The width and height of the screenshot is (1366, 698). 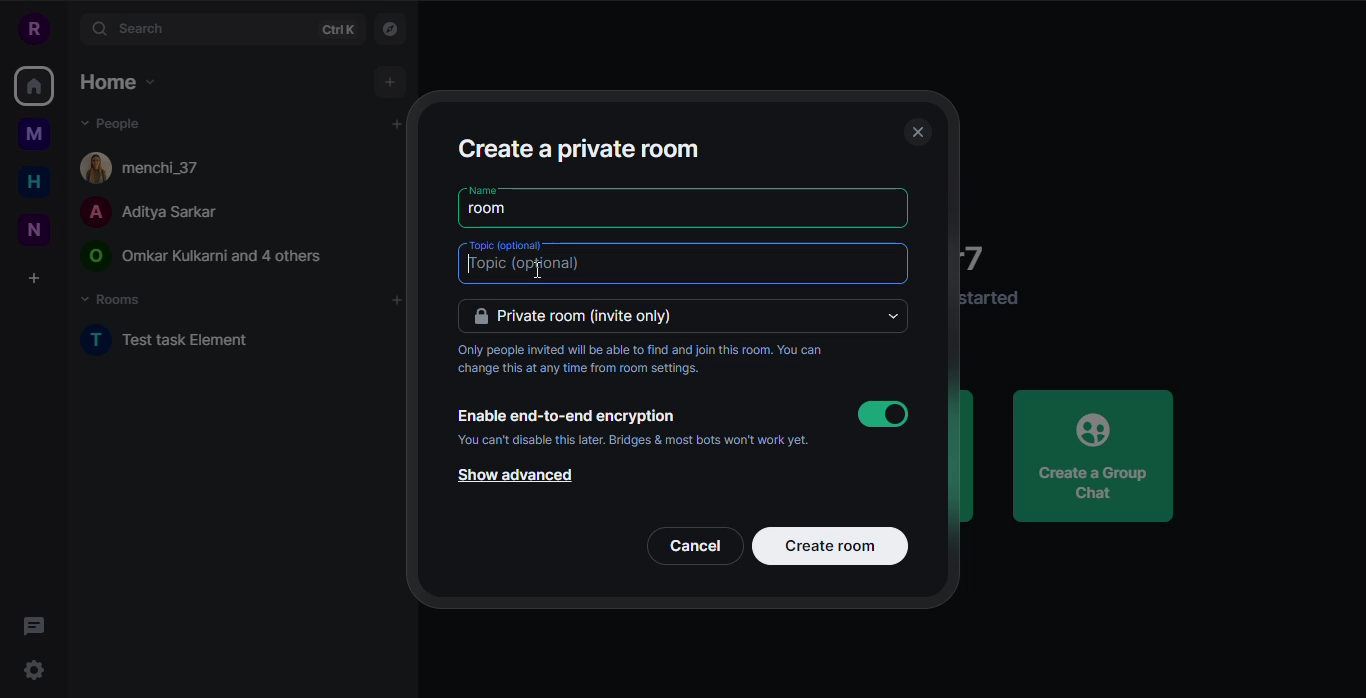 What do you see at coordinates (652, 361) in the screenshot?
I see `info` at bounding box center [652, 361].